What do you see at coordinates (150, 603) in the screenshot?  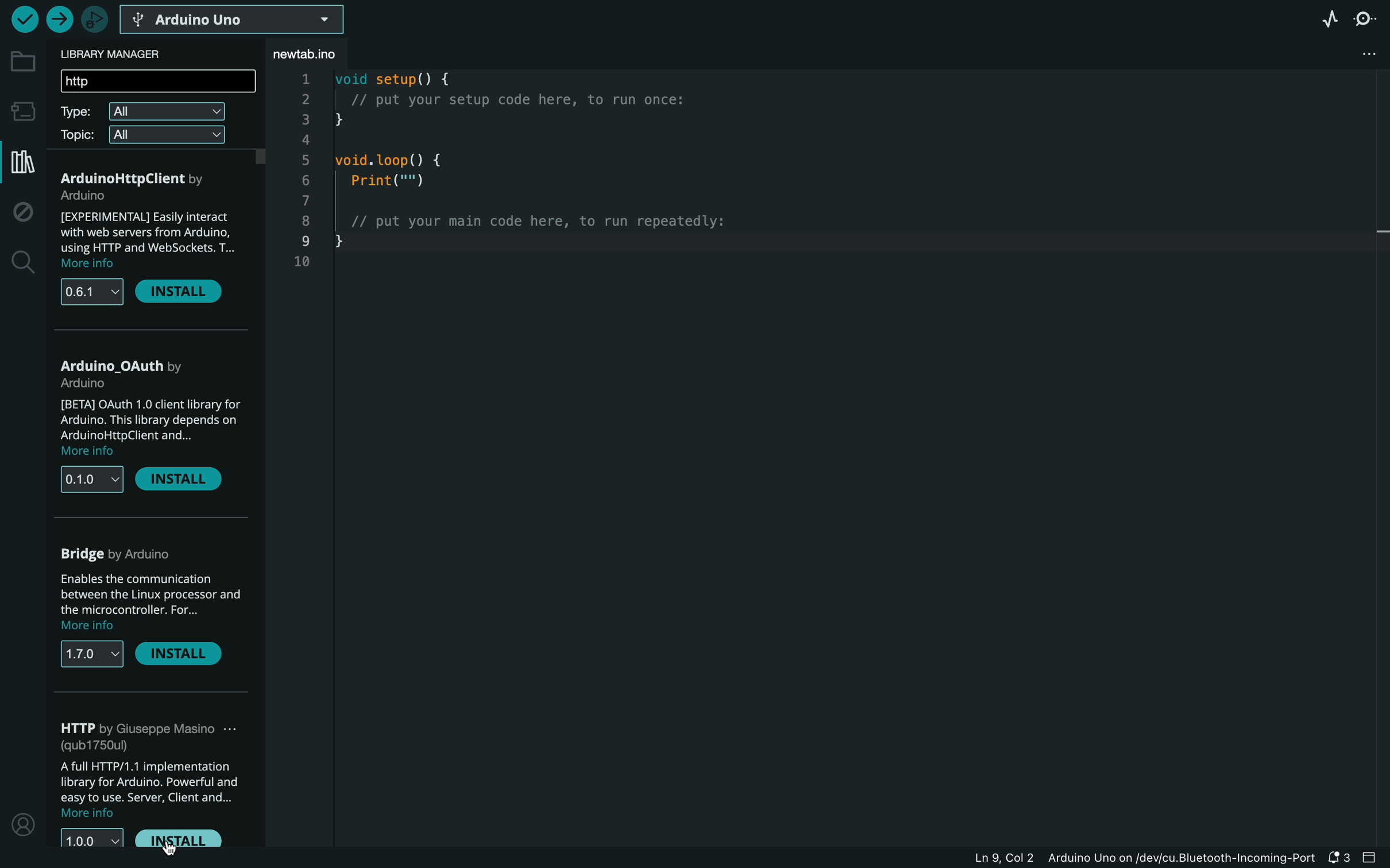 I see `description` at bounding box center [150, 603].